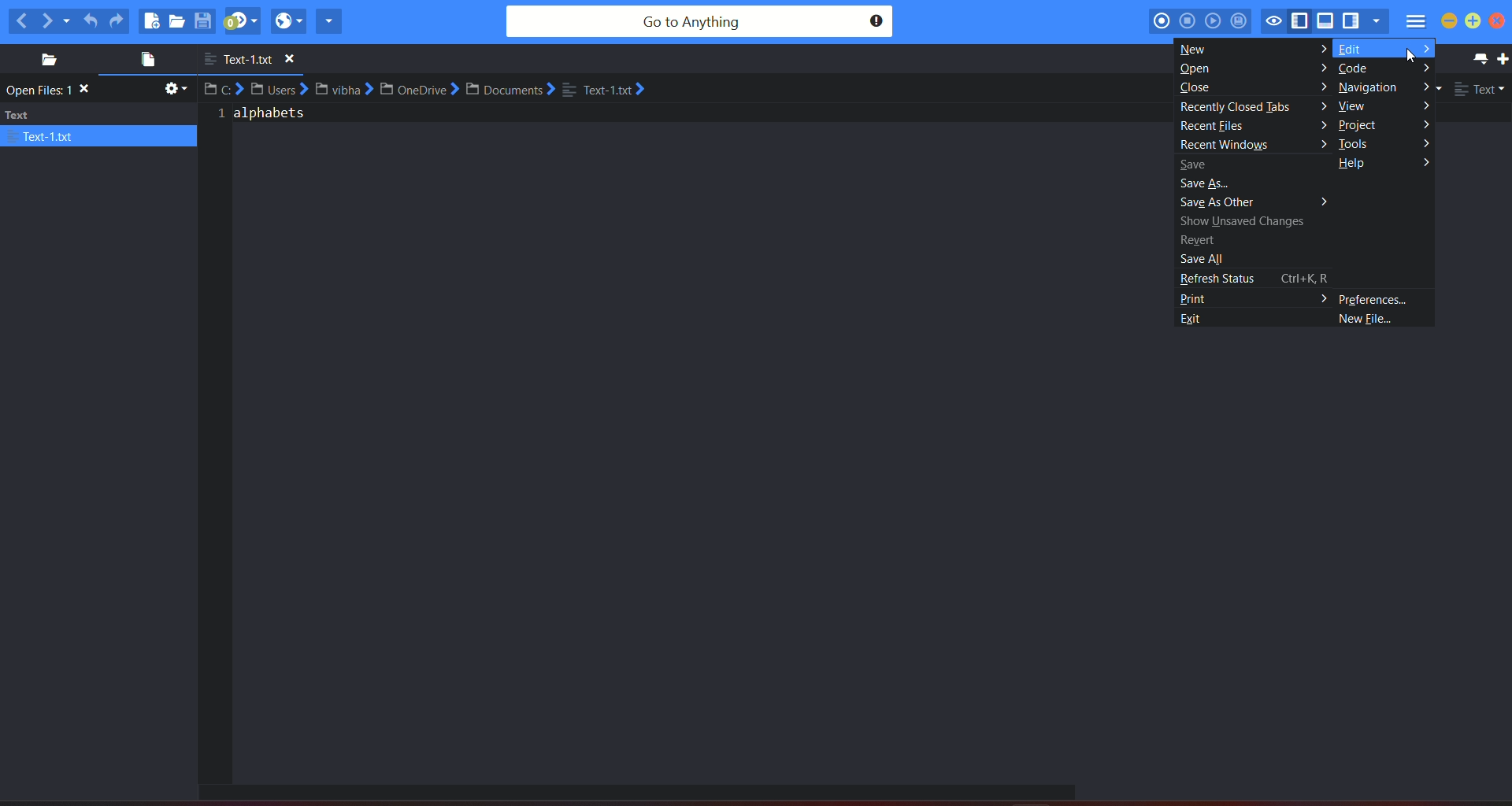 The height and width of the screenshot is (806, 1512). I want to click on More, so click(1425, 106).